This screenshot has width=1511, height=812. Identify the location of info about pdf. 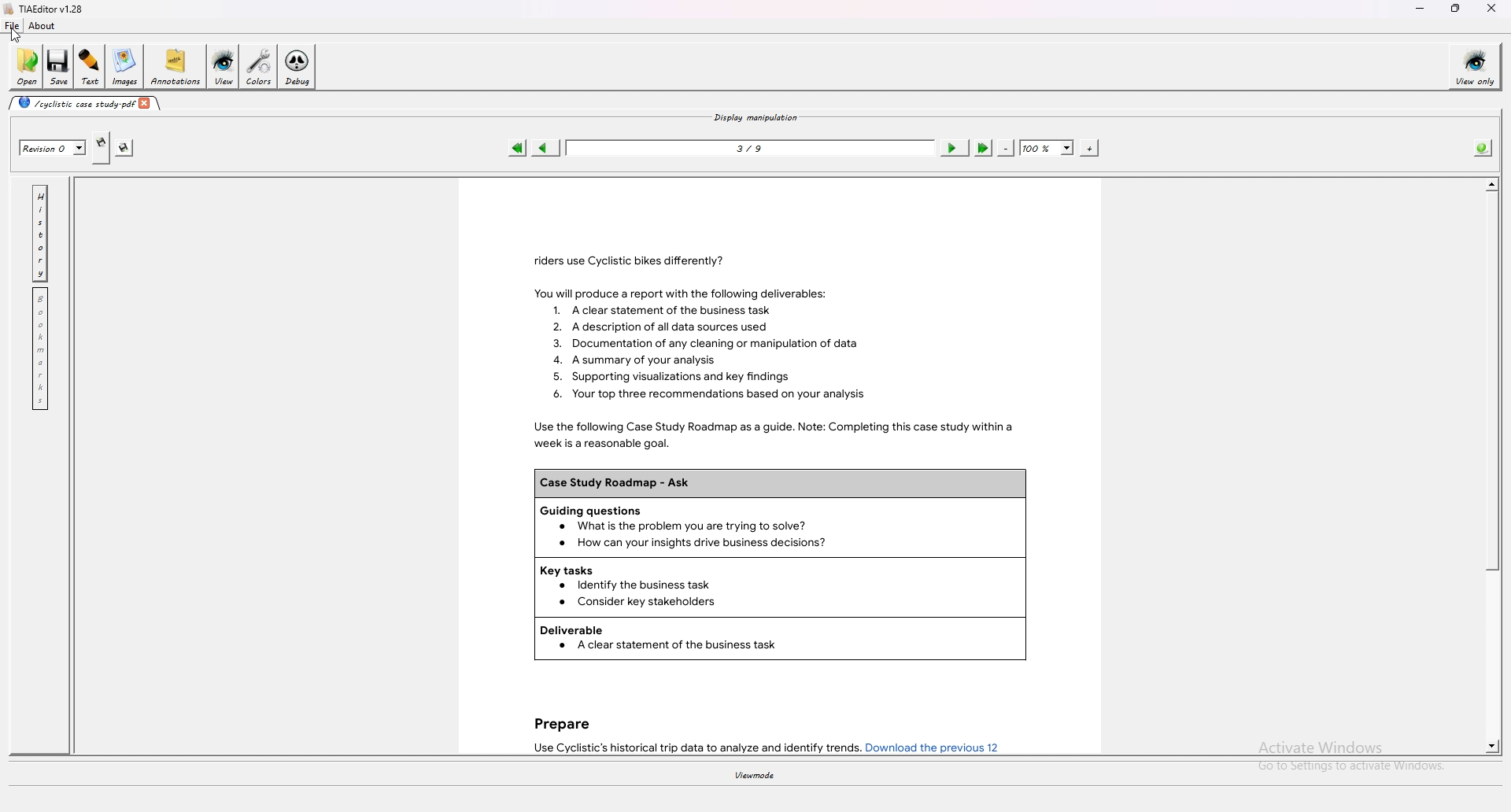
(1483, 147).